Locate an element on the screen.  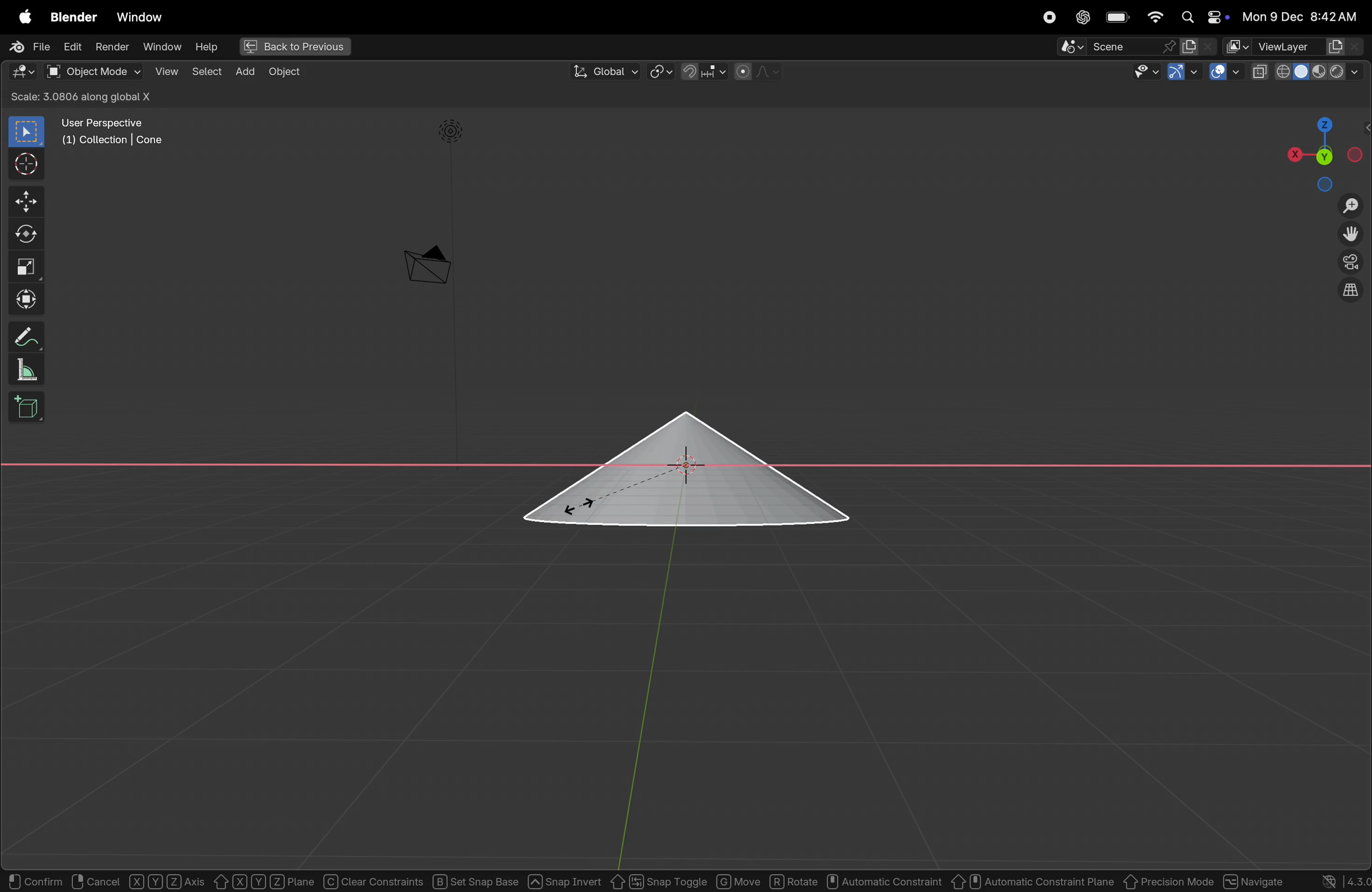
measure is located at coordinates (22, 368).